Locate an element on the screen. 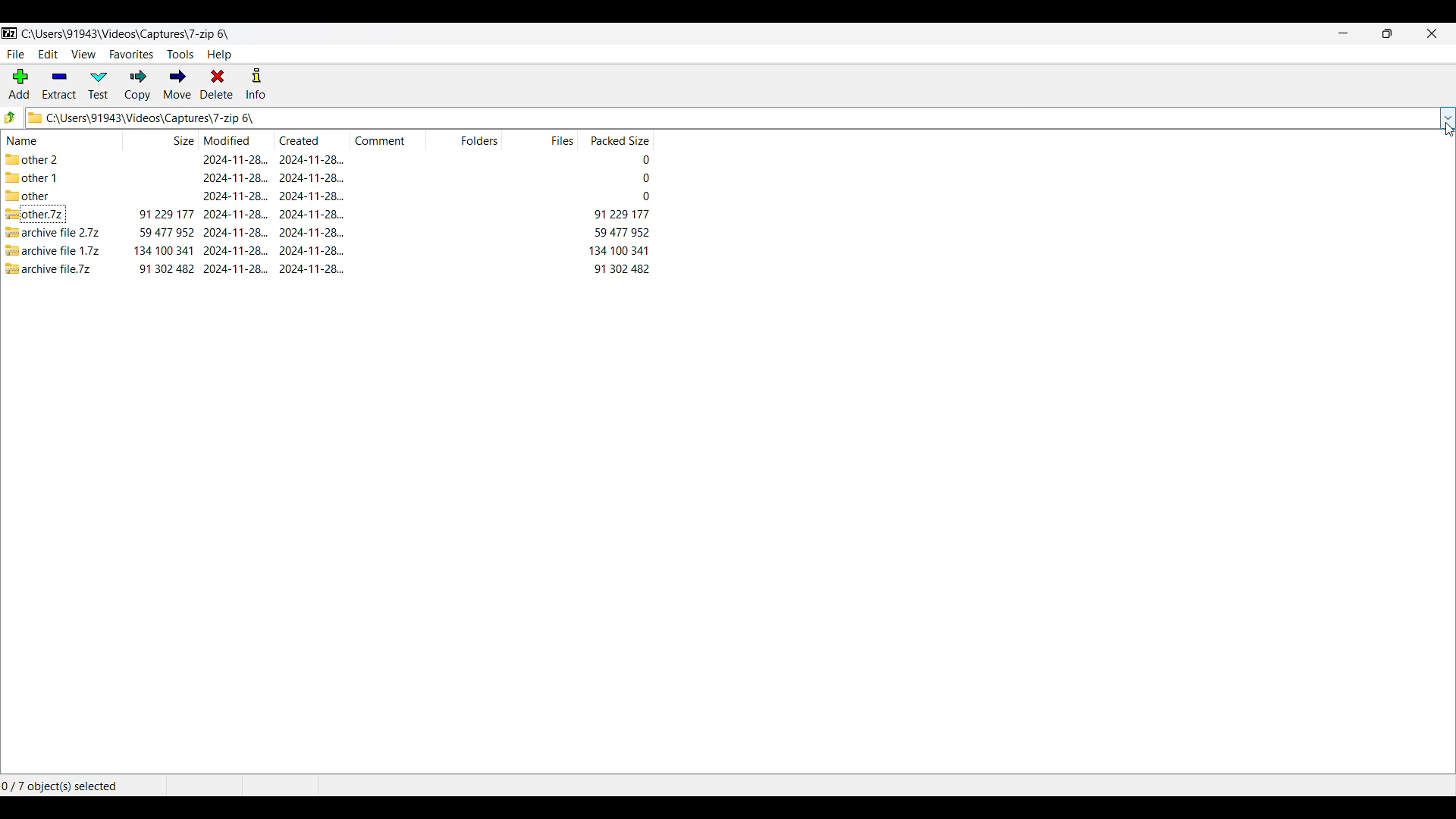 This screenshot has height=819, width=1456. packed size is located at coordinates (621, 268).